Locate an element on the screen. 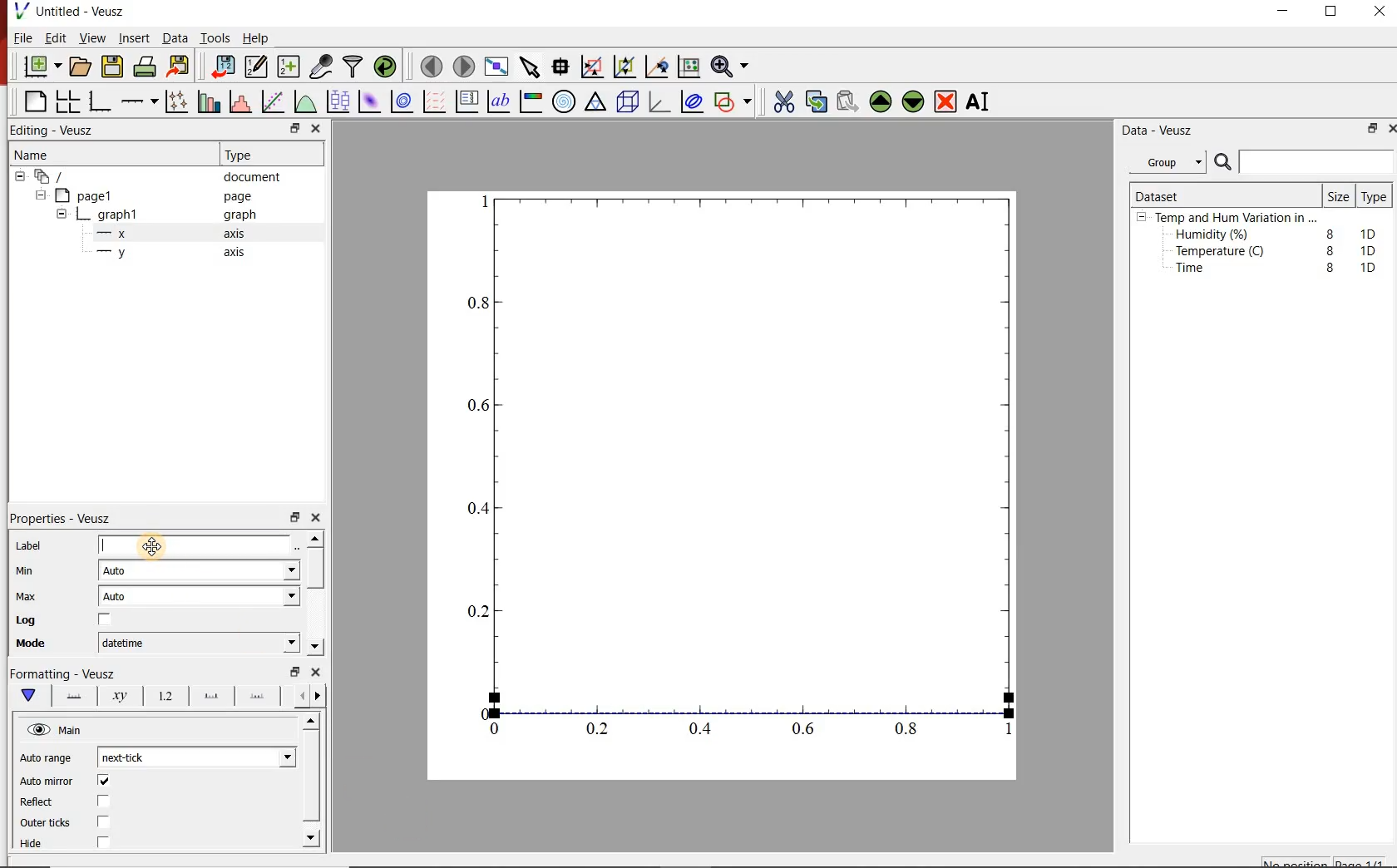  reload linked datasets is located at coordinates (385, 67).